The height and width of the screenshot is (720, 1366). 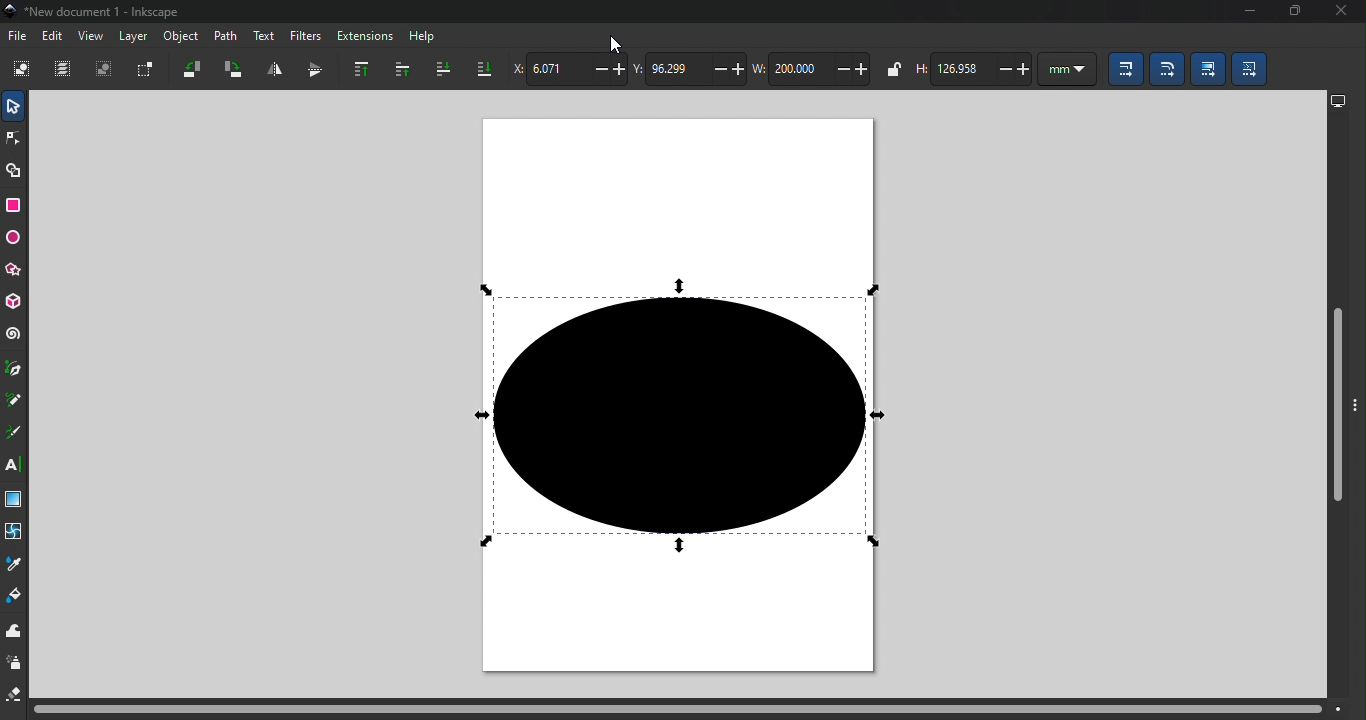 What do you see at coordinates (1128, 71) in the screenshot?
I see `When scaling objects, scale the stroke width by the same proportion` at bounding box center [1128, 71].